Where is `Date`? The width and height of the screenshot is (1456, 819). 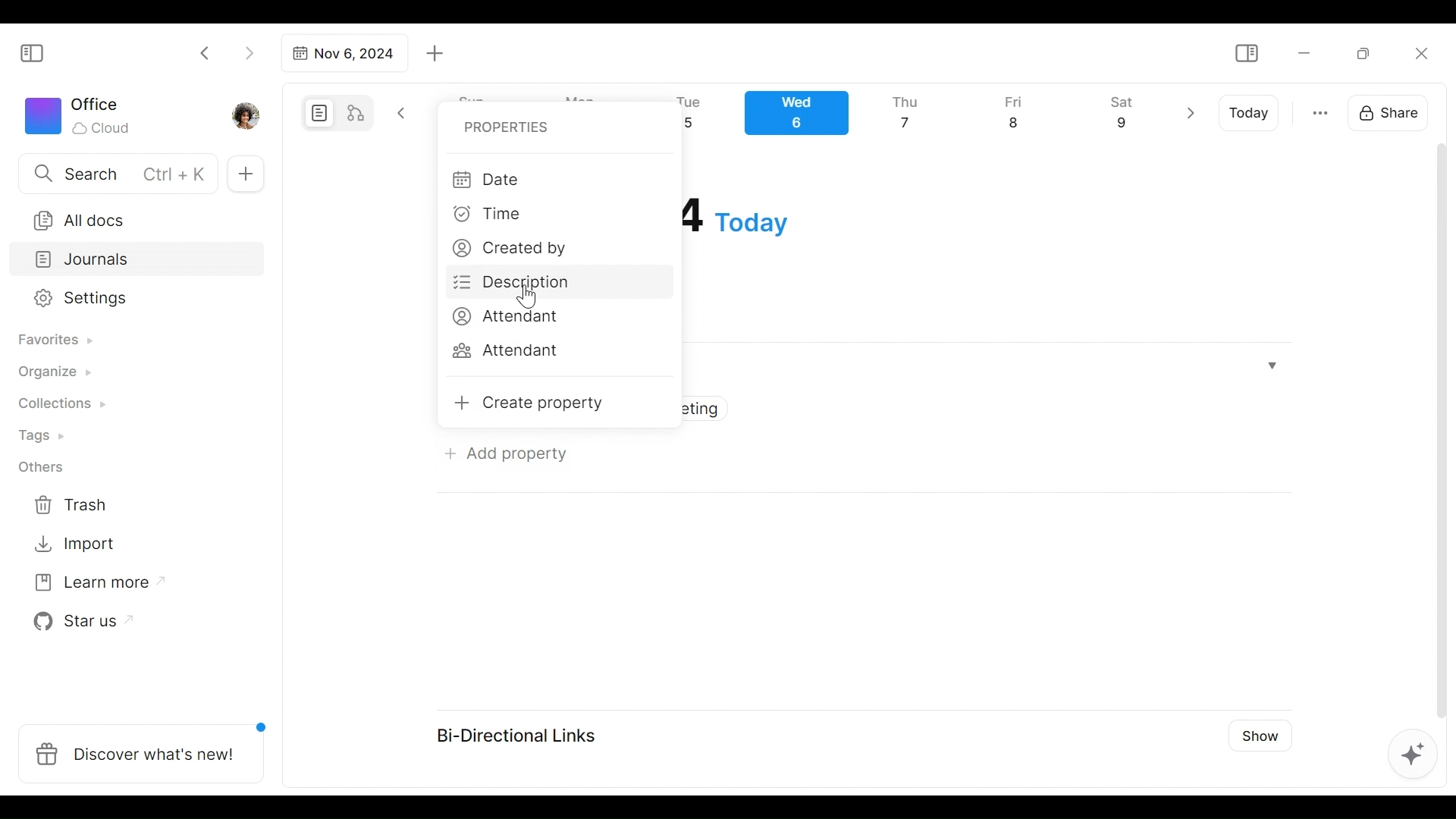
Date is located at coordinates (488, 179).